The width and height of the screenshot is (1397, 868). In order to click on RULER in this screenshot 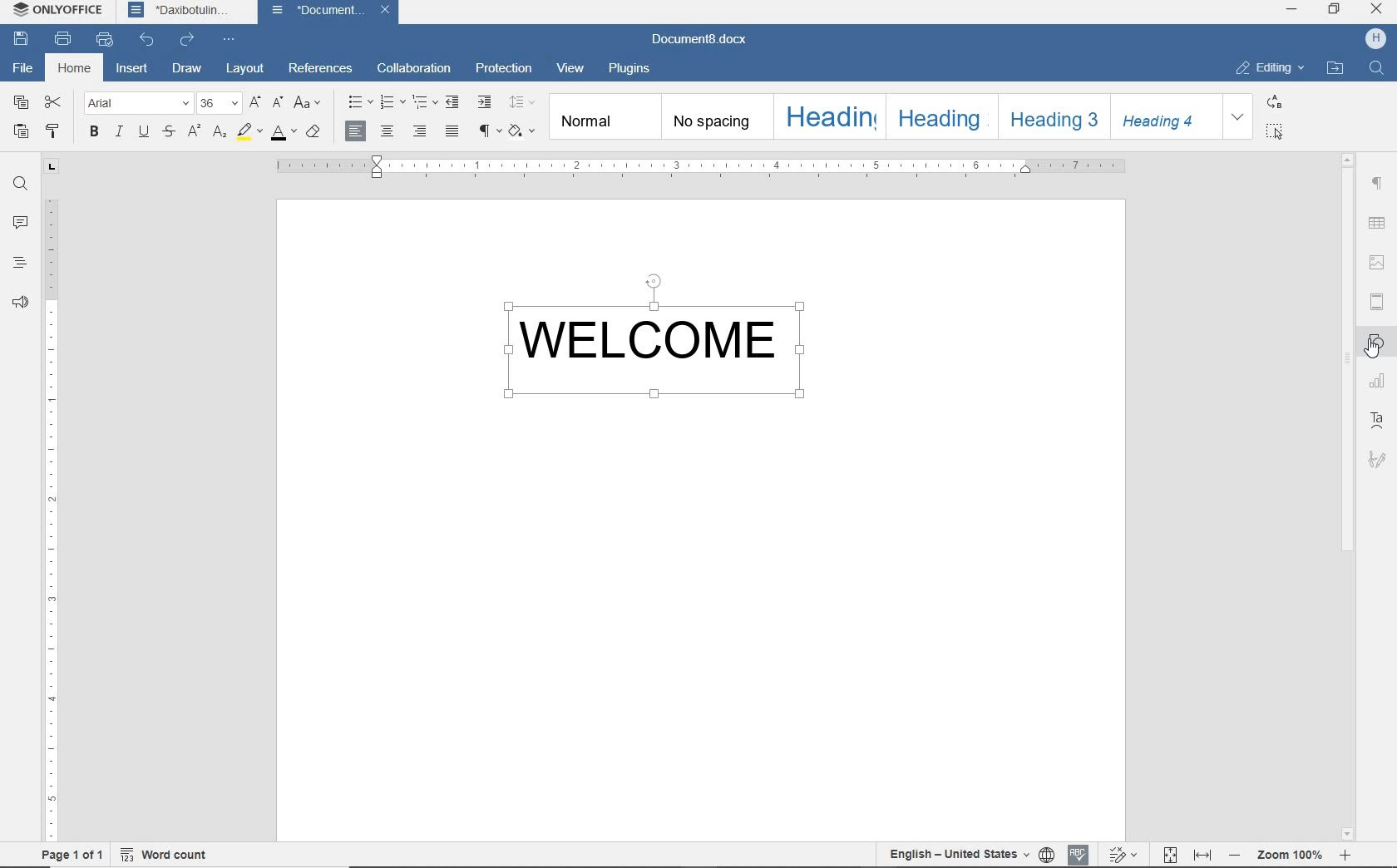, I will do `click(52, 513)`.